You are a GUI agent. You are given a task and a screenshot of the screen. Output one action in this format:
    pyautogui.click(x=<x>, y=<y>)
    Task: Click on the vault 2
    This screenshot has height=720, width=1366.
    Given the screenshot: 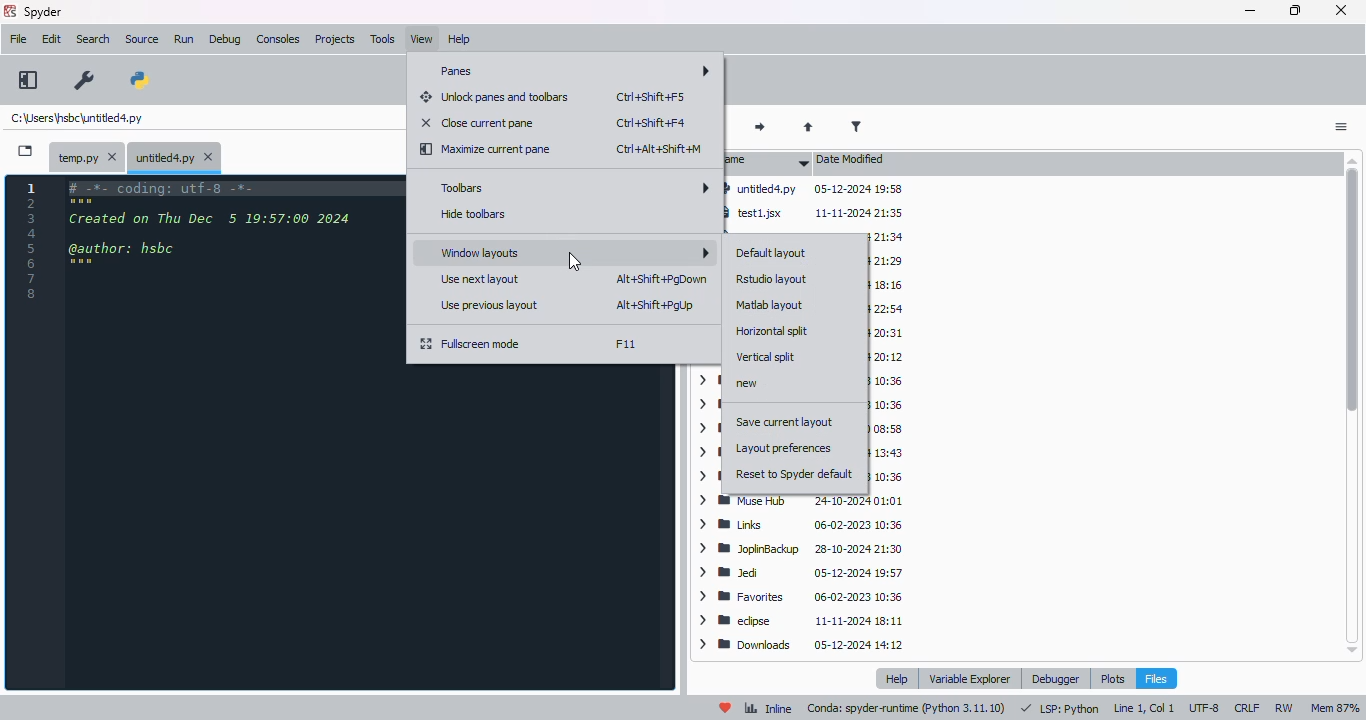 What is the action you would take?
    pyautogui.click(x=890, y=333)
    